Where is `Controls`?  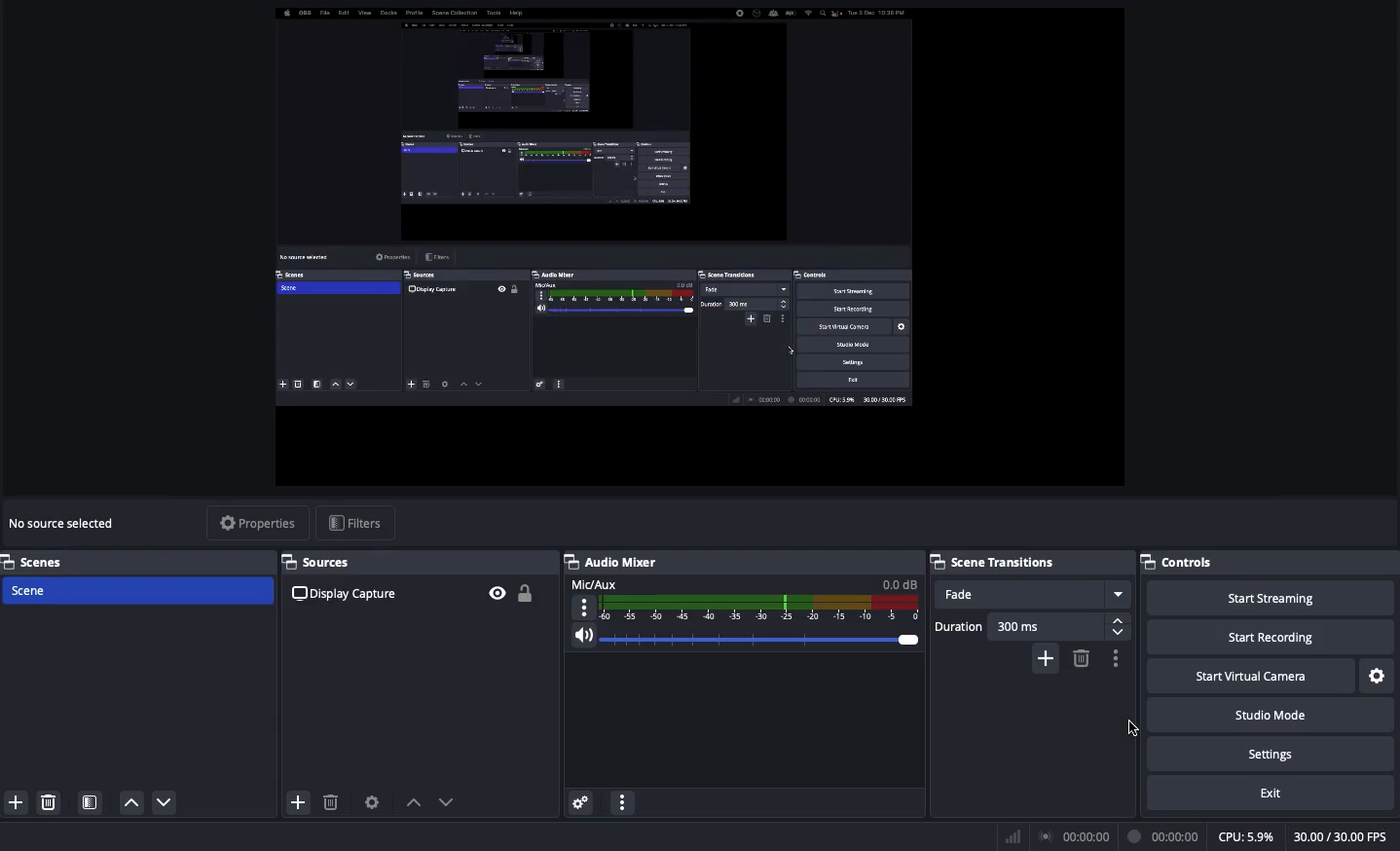
Controls is located at coordinates (1180, 562).